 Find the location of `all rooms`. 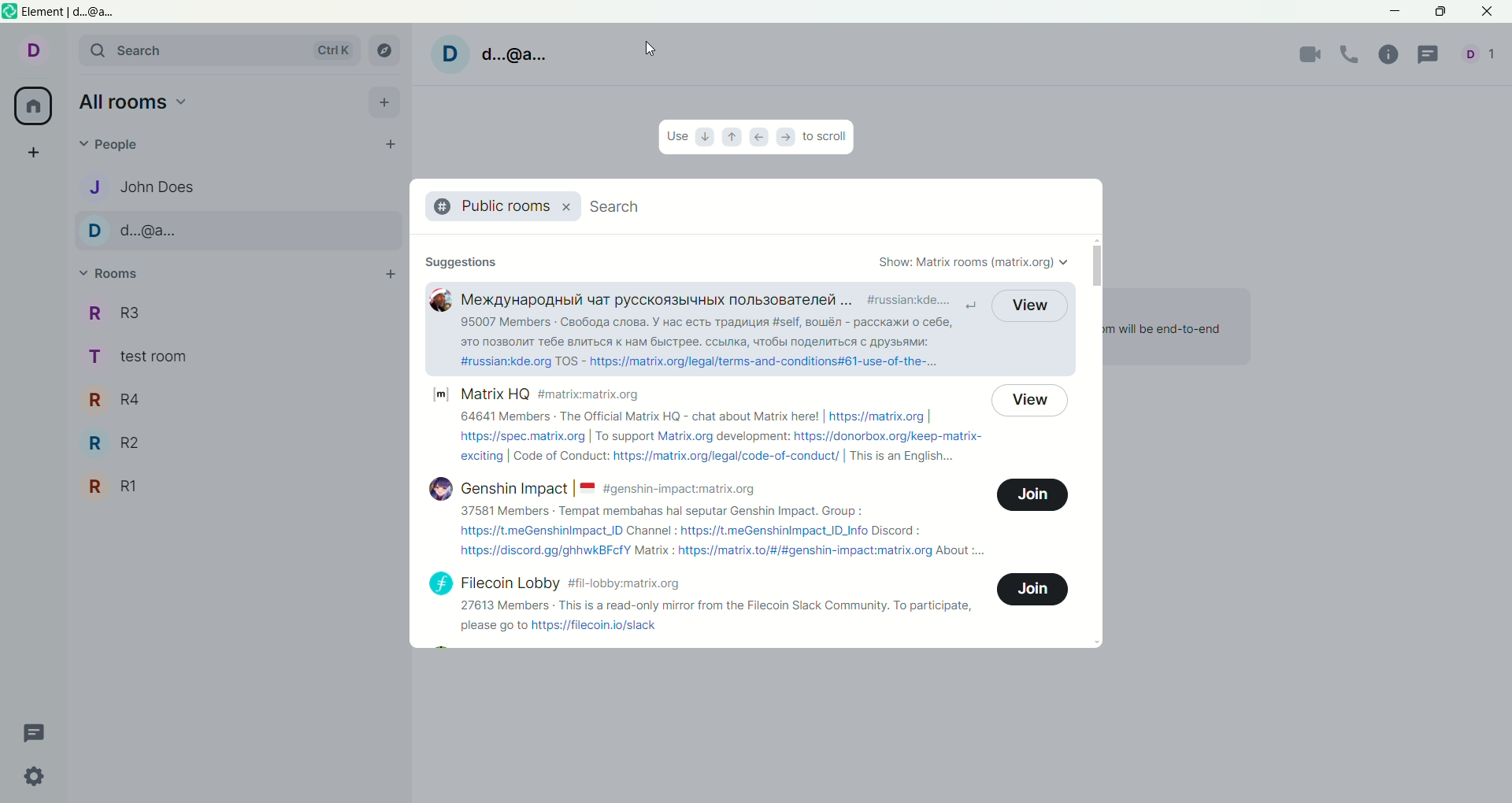

all rooms is located at coordinates (36, 108).